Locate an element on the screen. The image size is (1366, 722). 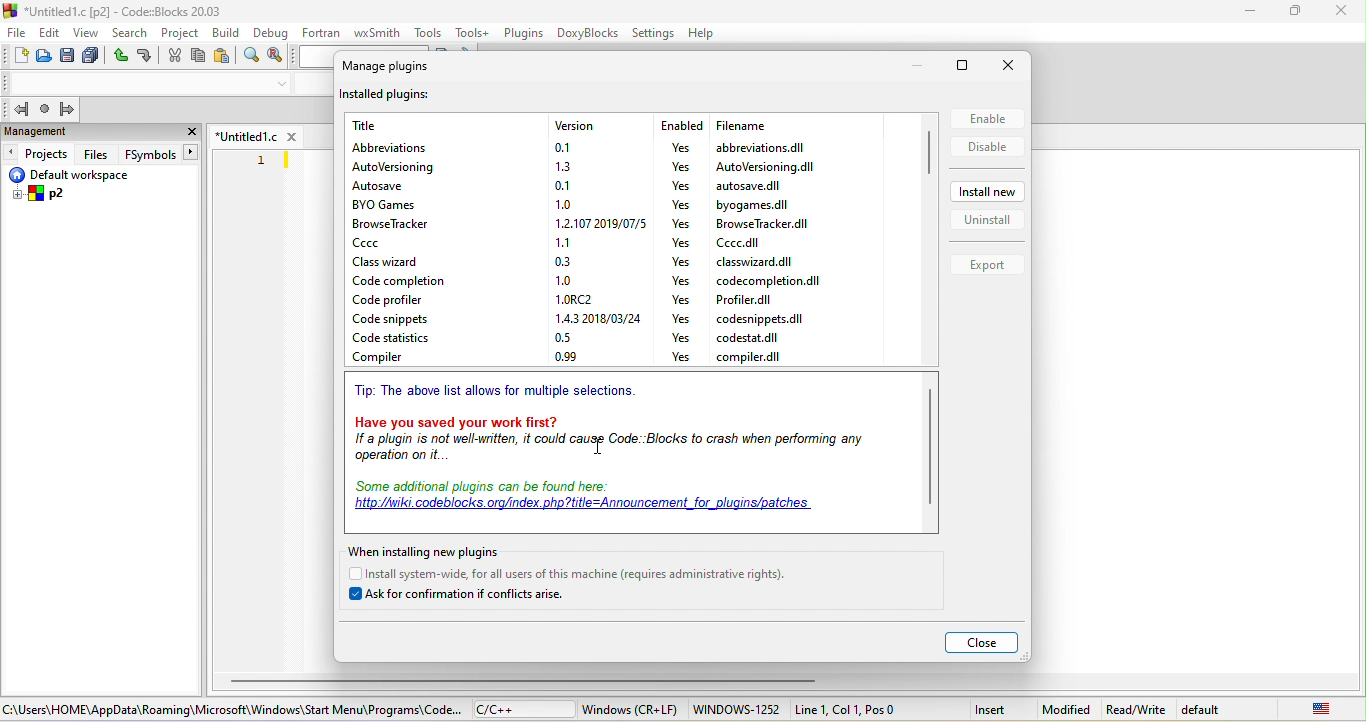
1.0 is located at coordinates (563, 279).